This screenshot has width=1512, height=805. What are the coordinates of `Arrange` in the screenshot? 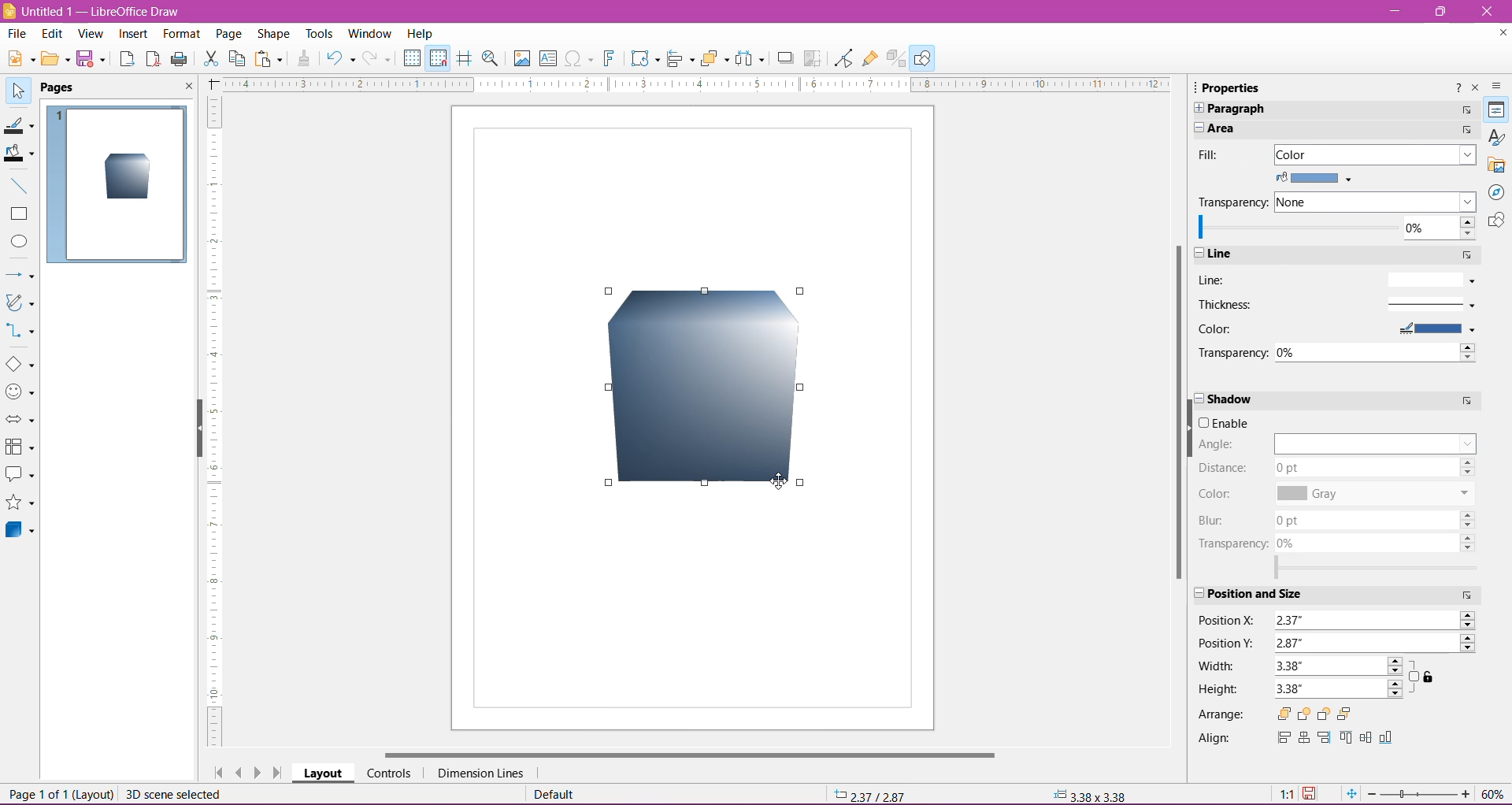 It's located at (714, 58).